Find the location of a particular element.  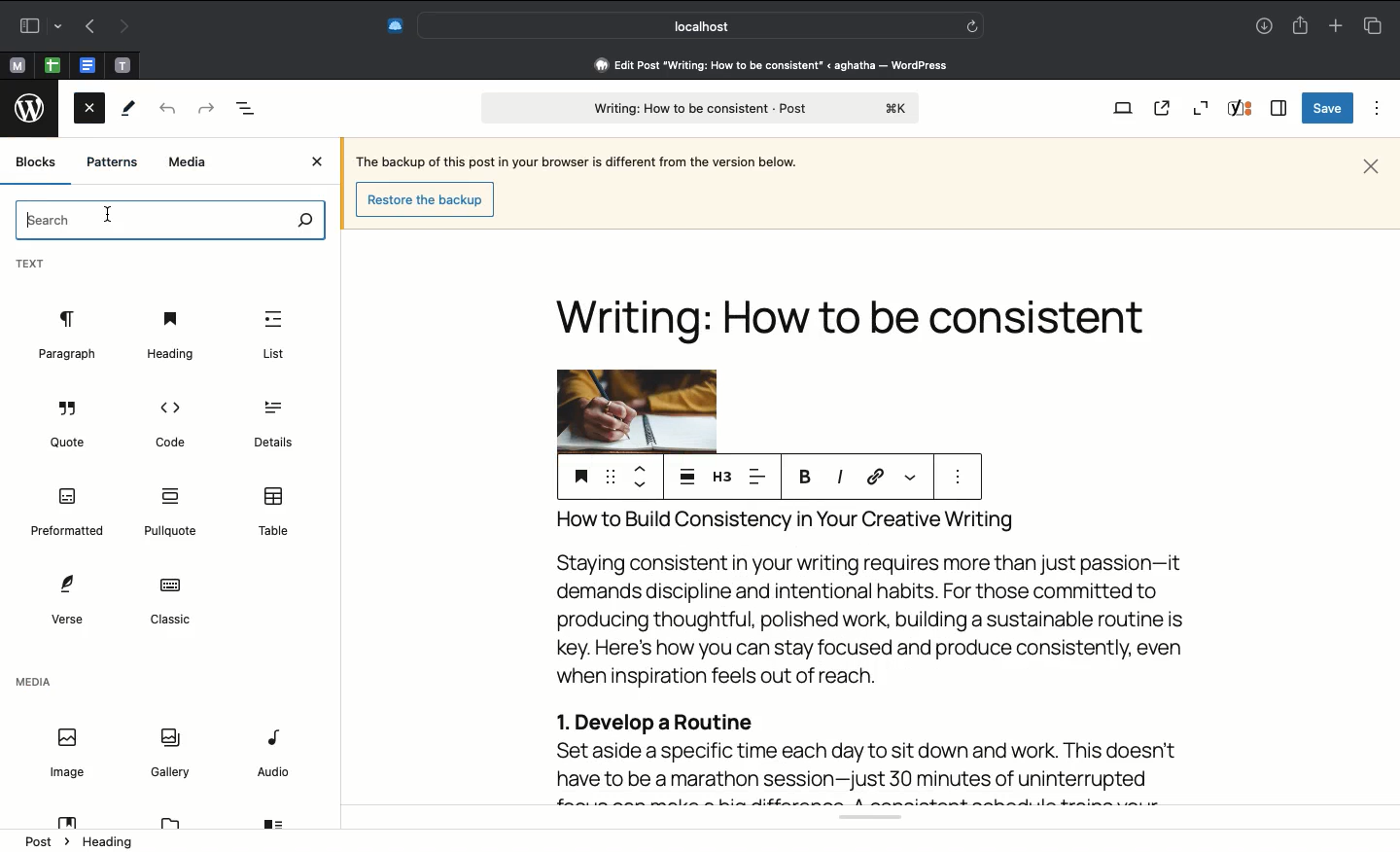

Yoast is located at coordinates (1242, 109).